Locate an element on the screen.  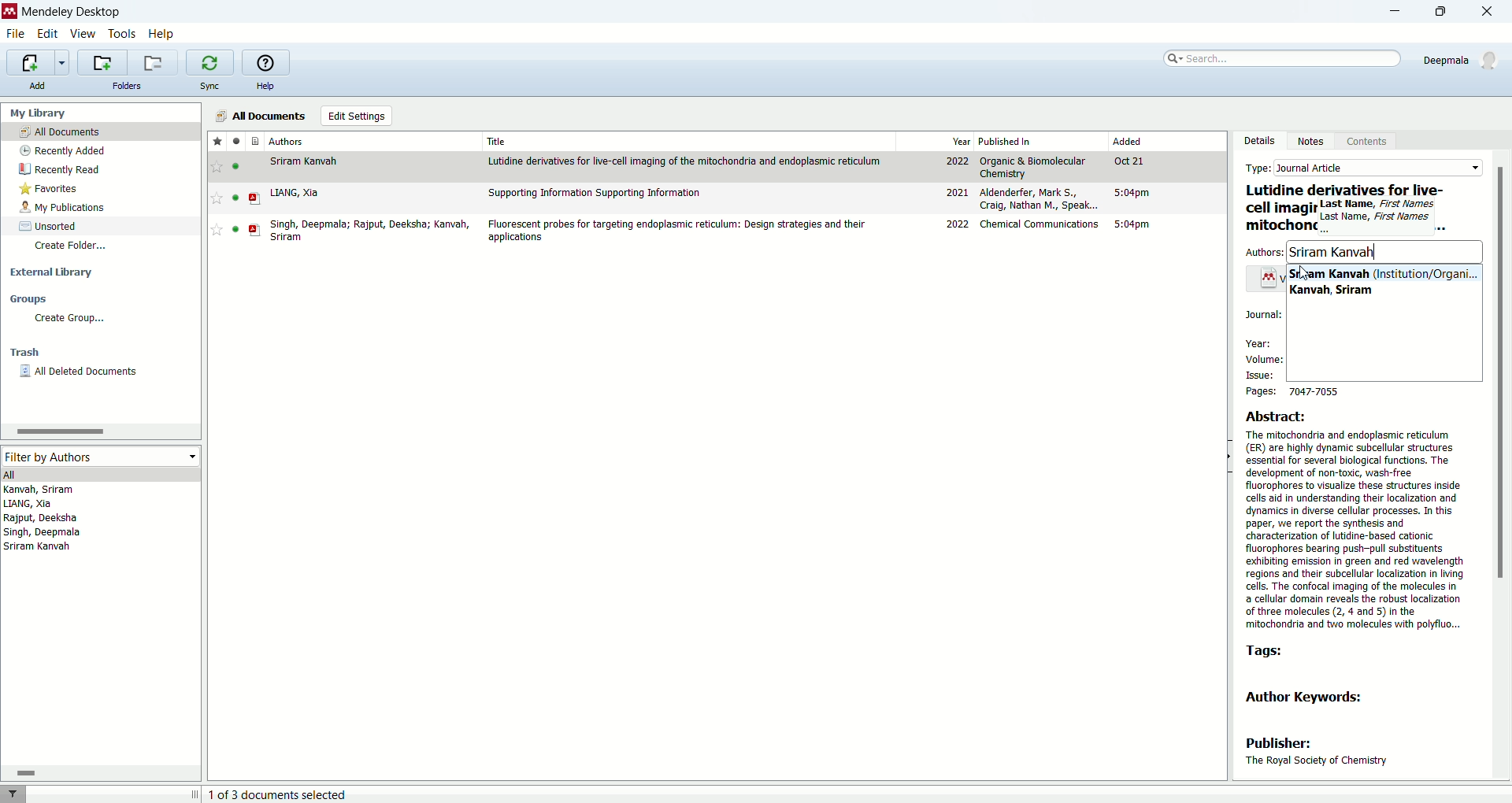
year is located at coordinates (958, 140).